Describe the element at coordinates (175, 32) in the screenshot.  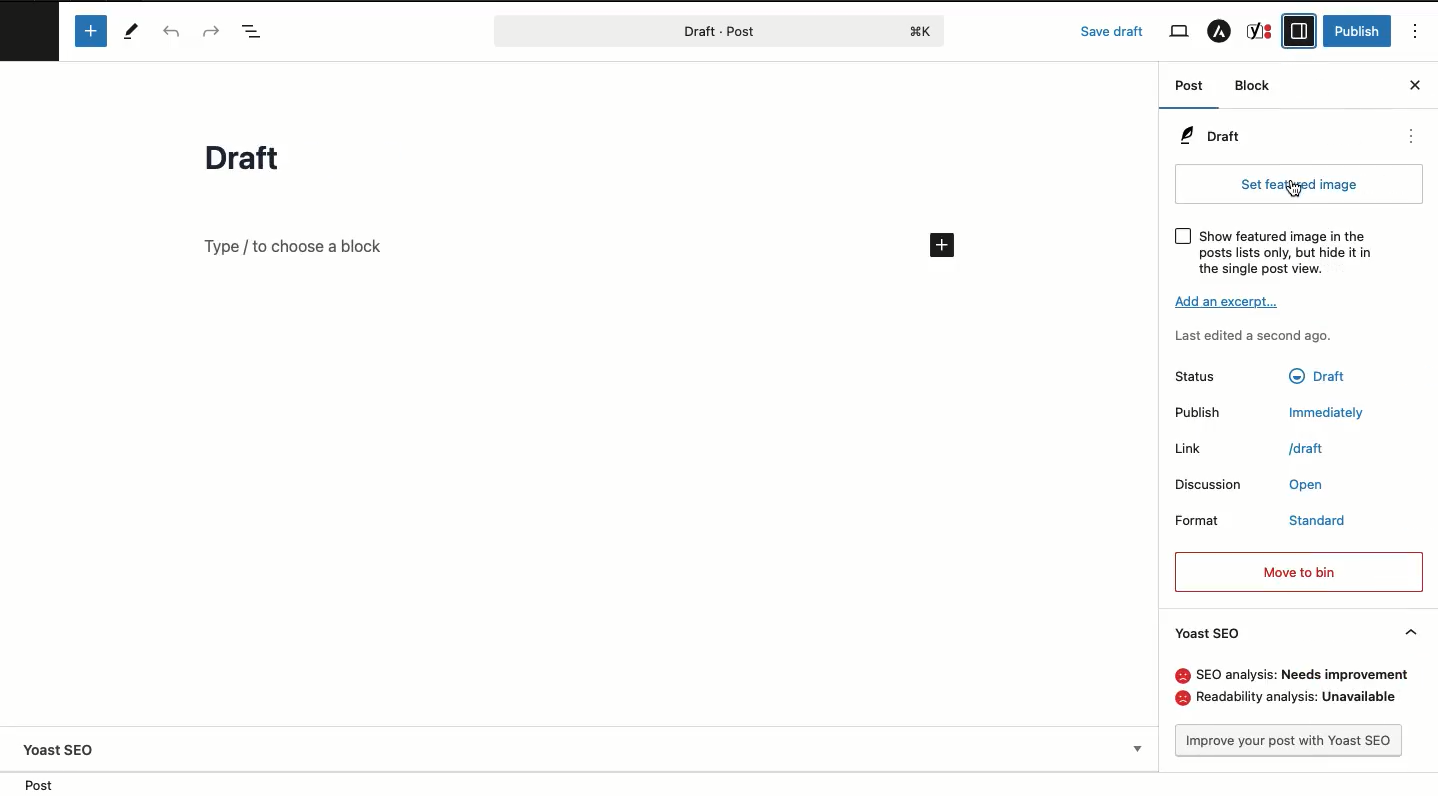
I see `Undo` at that location.